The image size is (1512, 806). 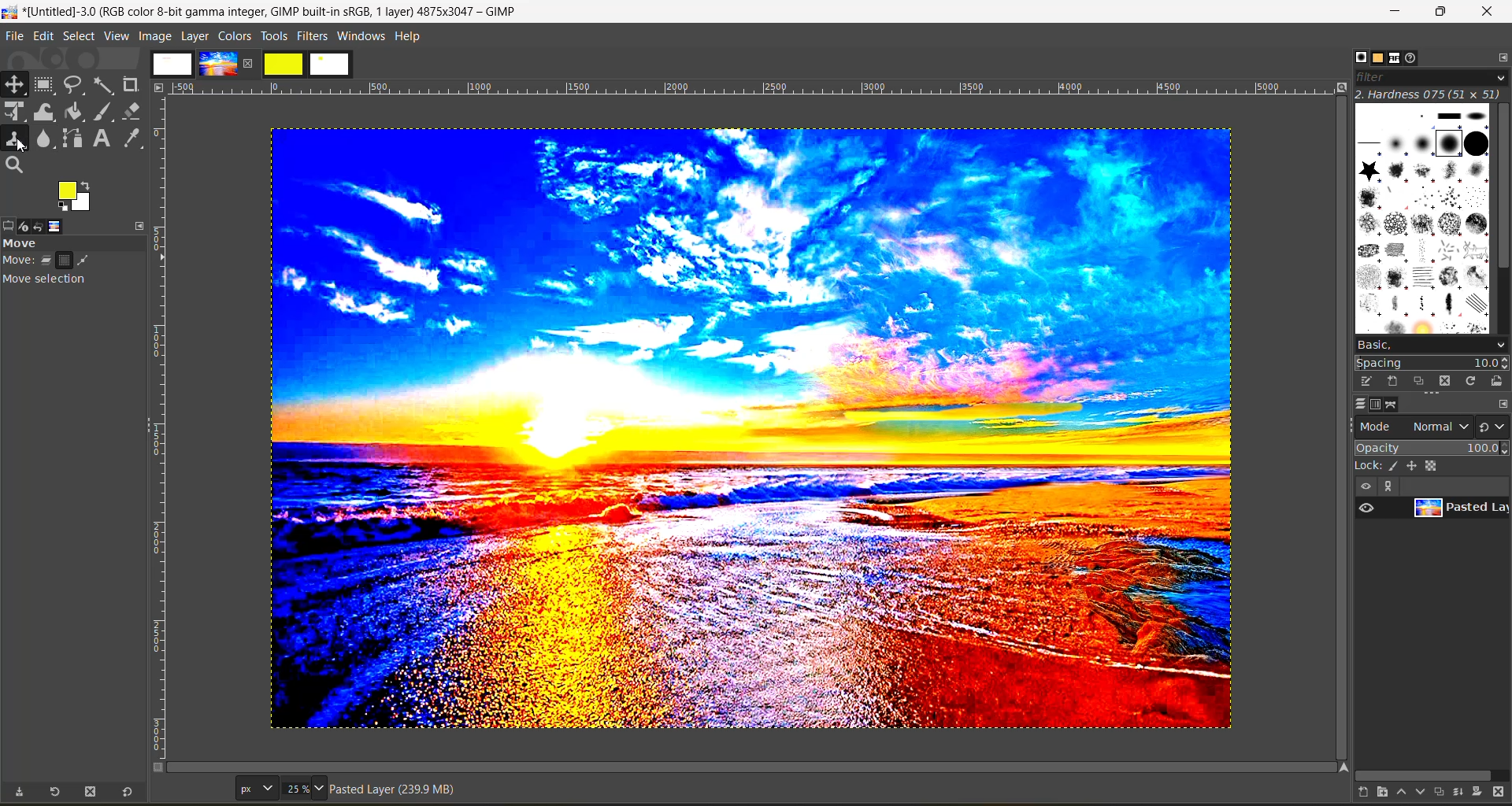 I want to click on , so click(x=159, y=87).